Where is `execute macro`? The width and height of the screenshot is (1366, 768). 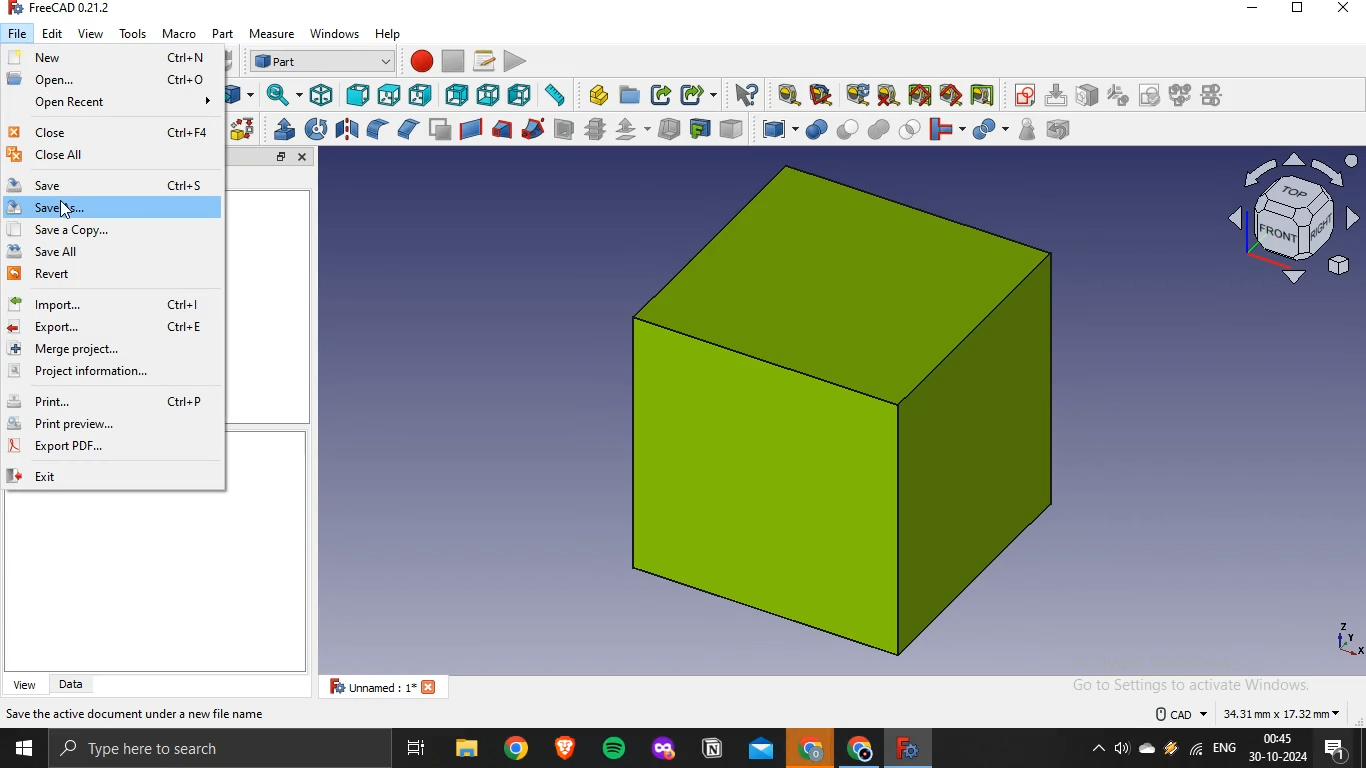 execute macro is located at coordinates (513, 61).